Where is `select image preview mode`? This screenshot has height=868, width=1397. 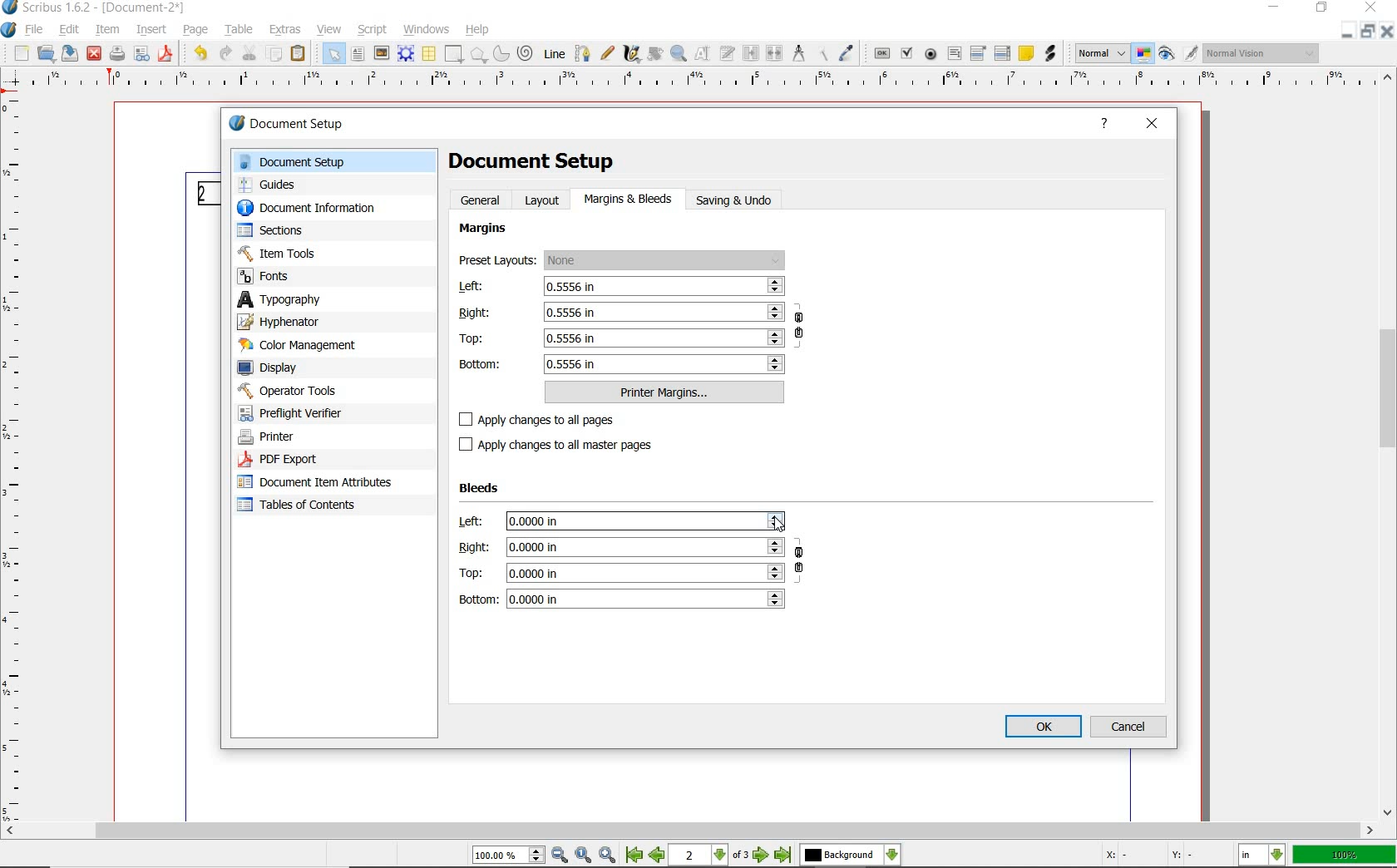
select image preview mode is located at coordinates (1101, 53).